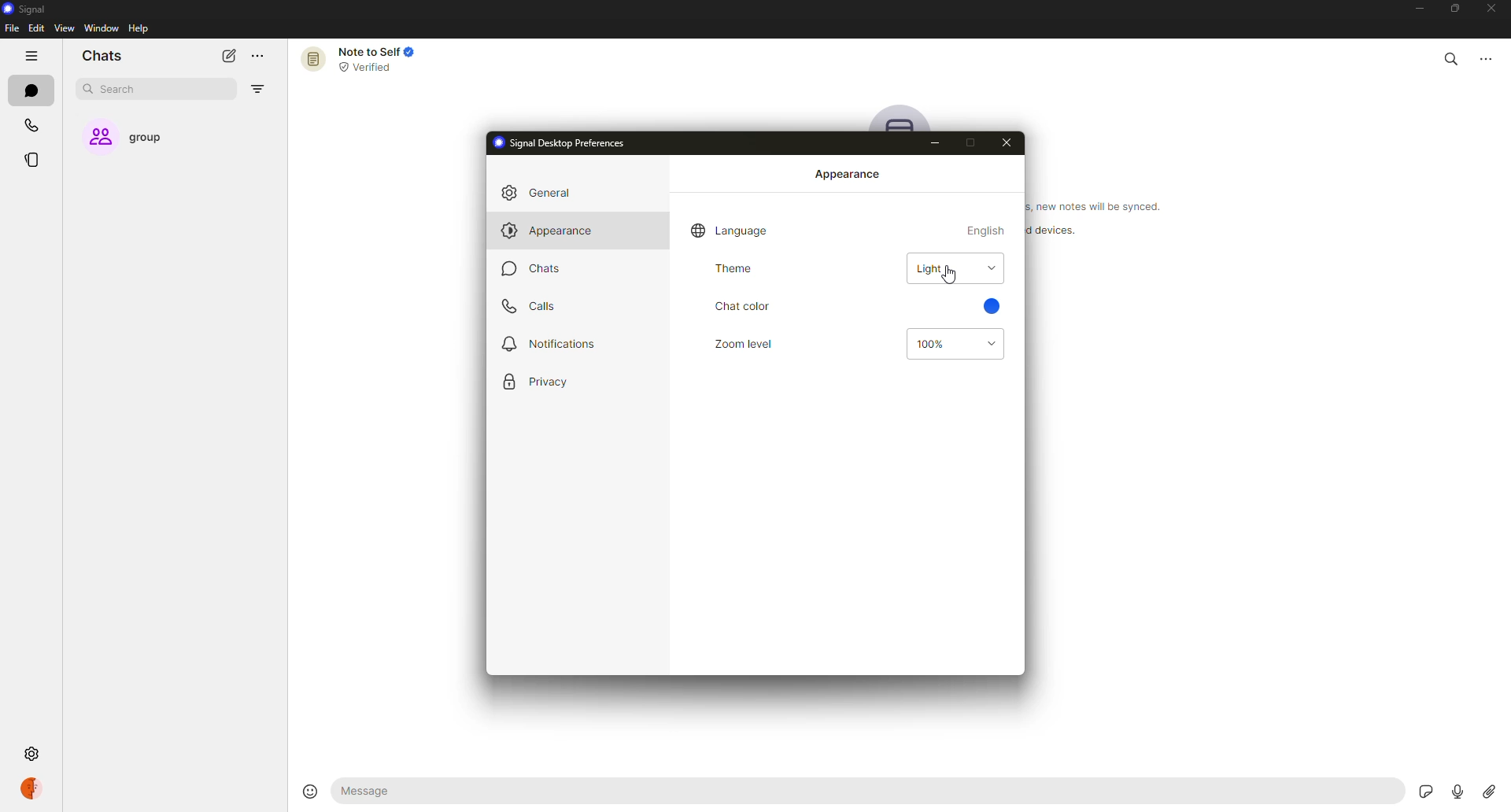 This screenshot has height=812, width=1511. What do you see at coordinates (36, 28) in the screenshot?
I see `edit` at bounding box center [36, 28].